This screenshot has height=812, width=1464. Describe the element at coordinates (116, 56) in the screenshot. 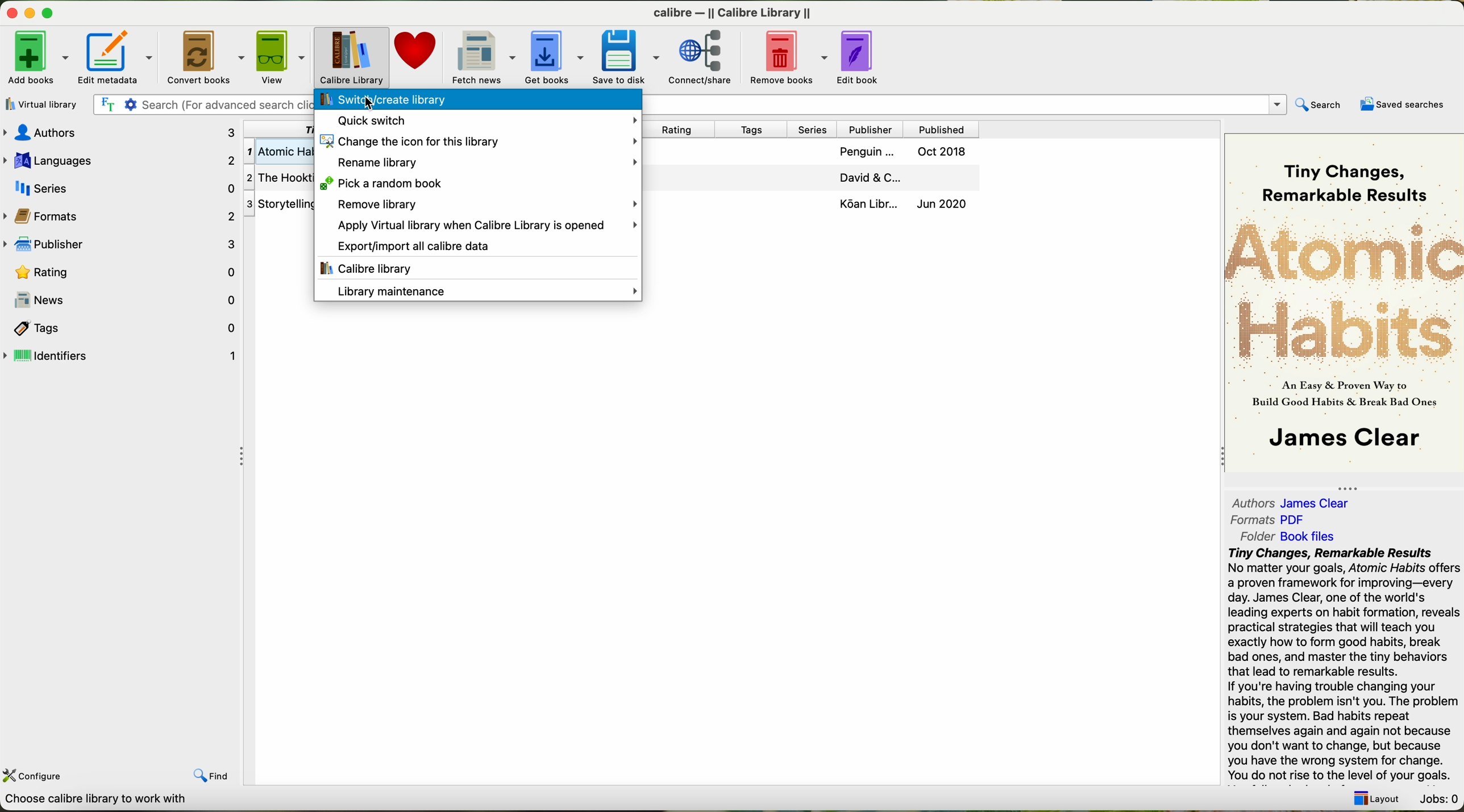

I see `edit metadata` at that location.